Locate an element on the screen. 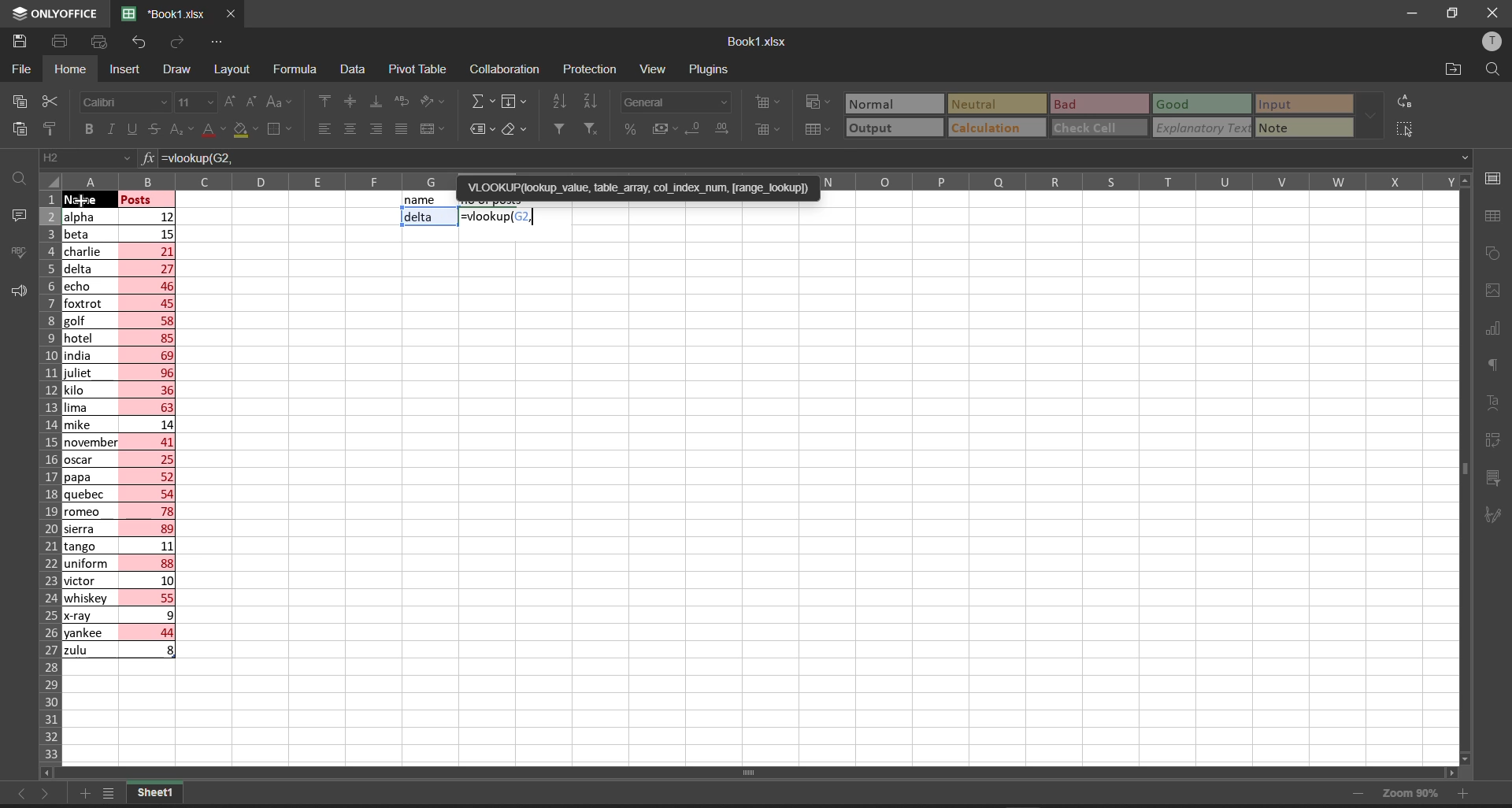 This screenshot has width=1512, height=808. redo is located at coordinates (176, 45).